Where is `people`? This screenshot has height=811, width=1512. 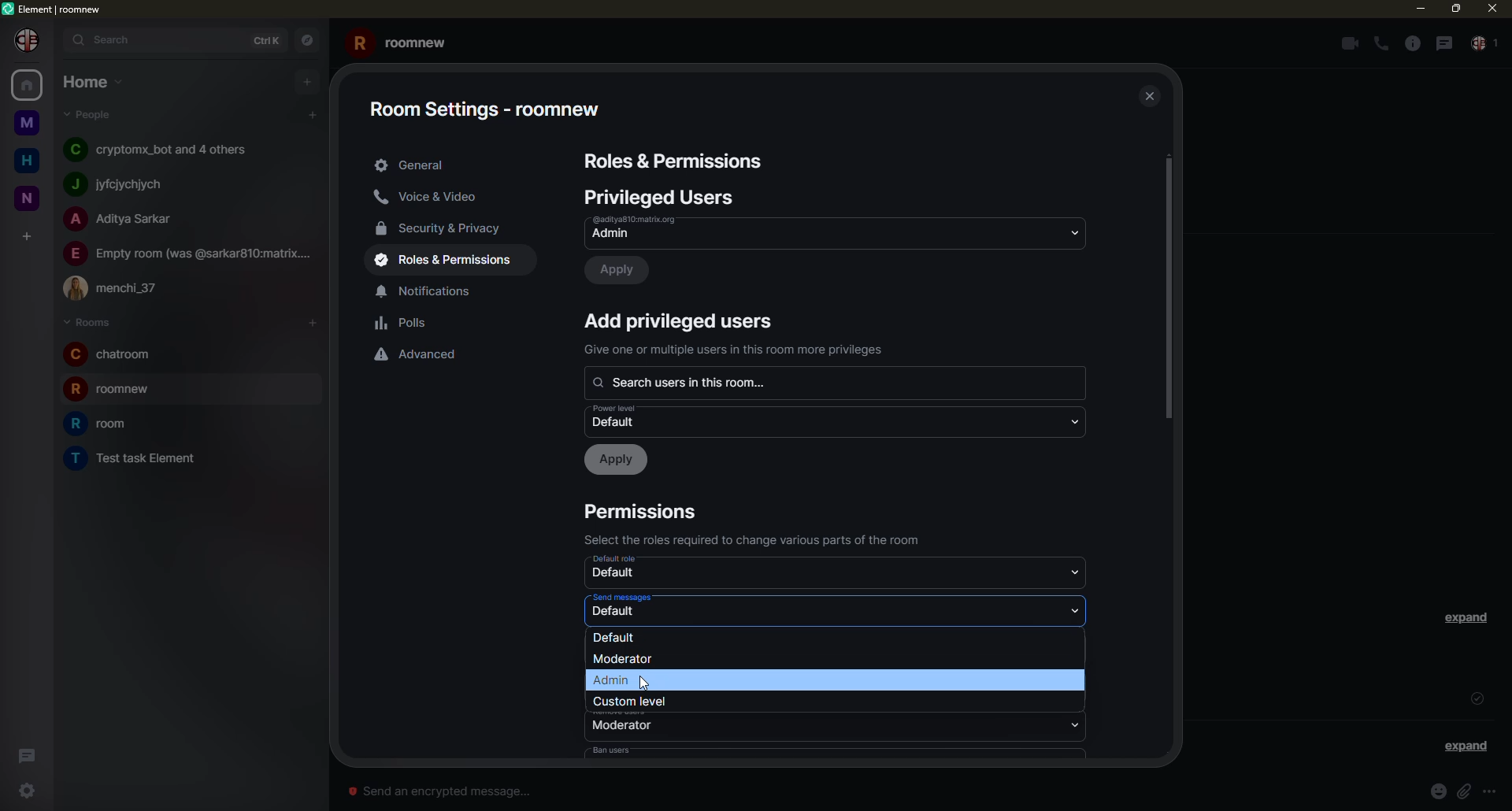
people is located at coordinates (92, 115).